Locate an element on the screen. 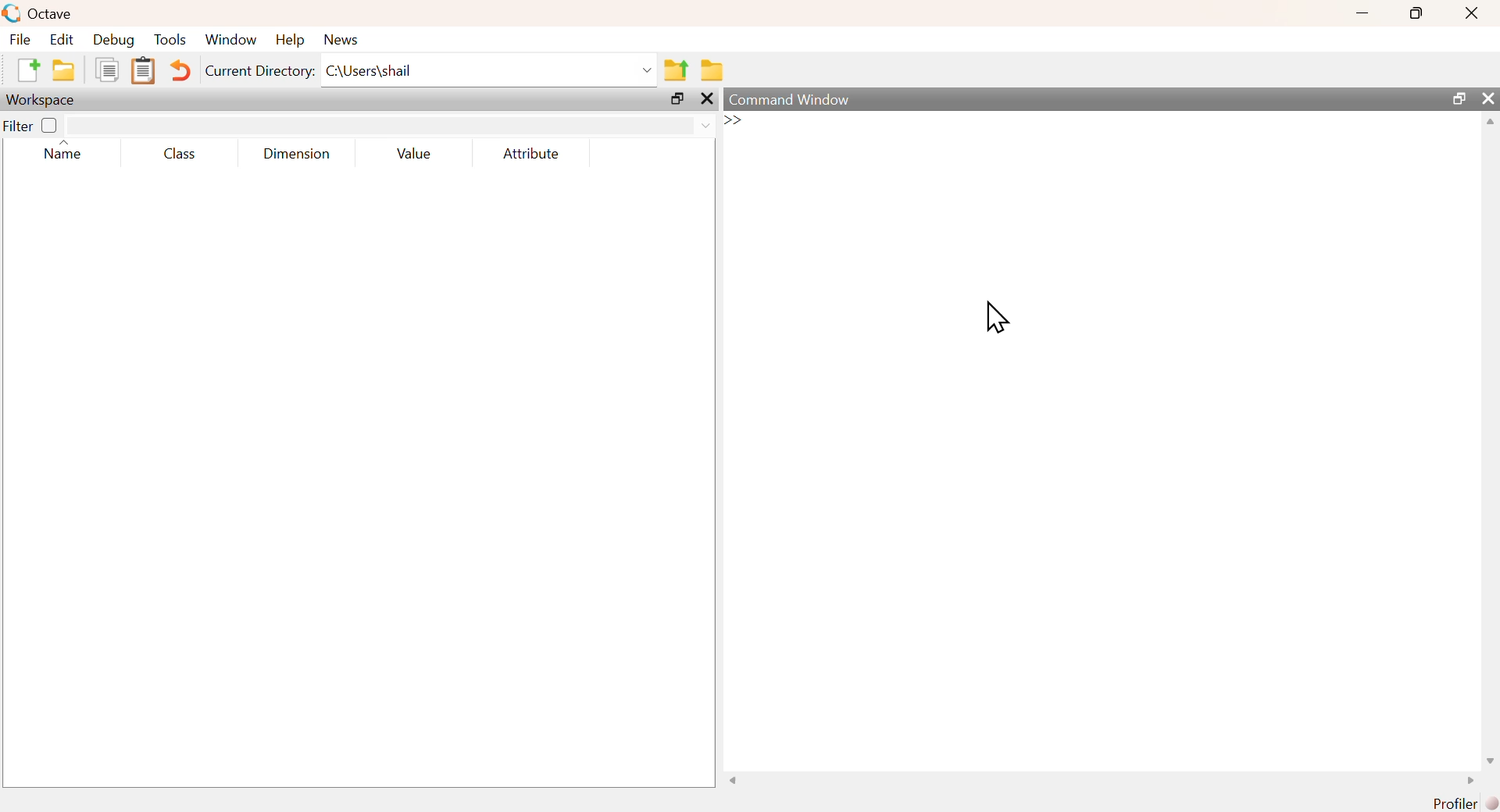  Filter is located at coordinates (31, 124).